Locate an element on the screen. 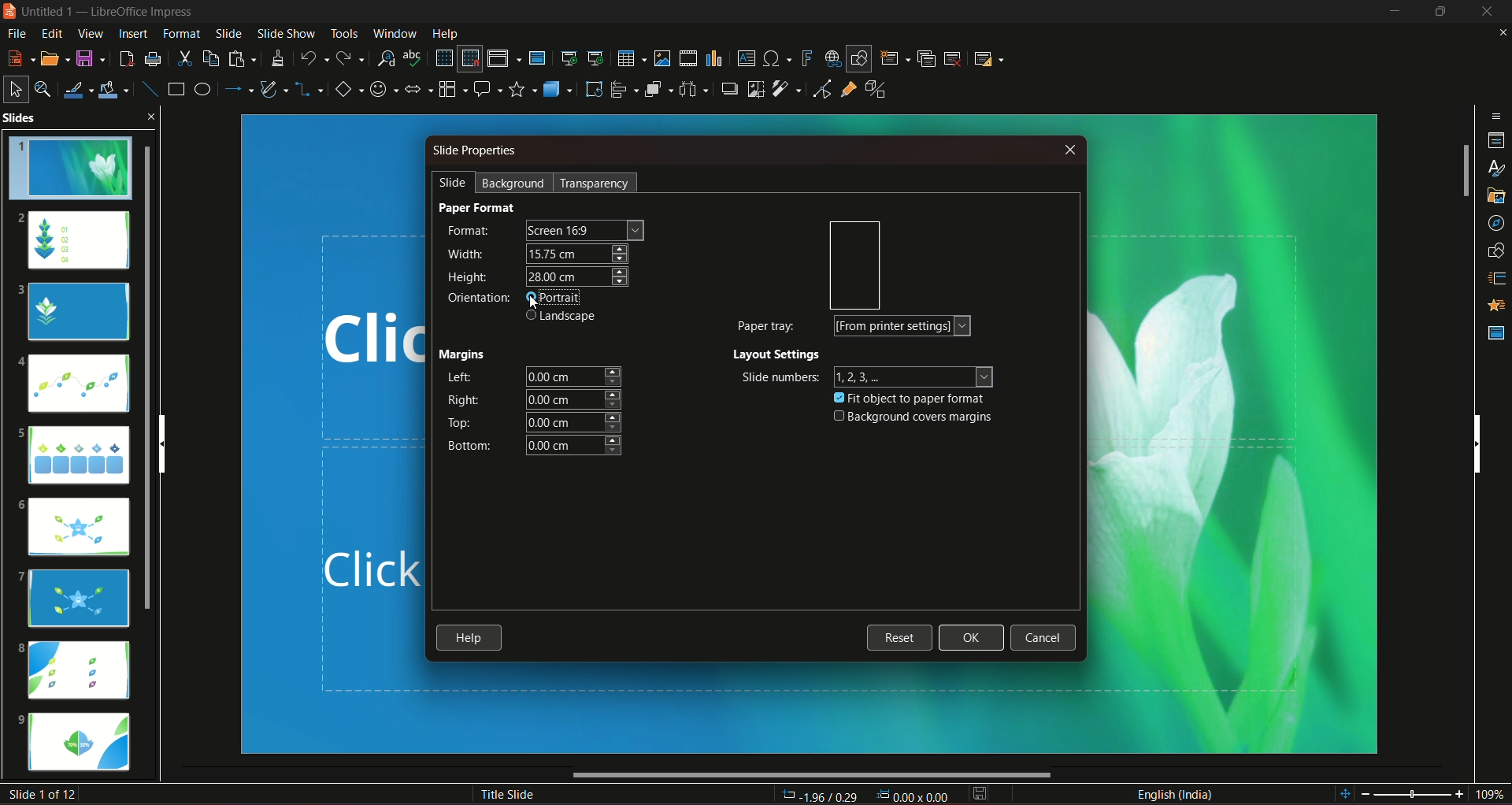 This screenshot has width=1512, height=805. slide 4 is located at coordinates (76, 386).